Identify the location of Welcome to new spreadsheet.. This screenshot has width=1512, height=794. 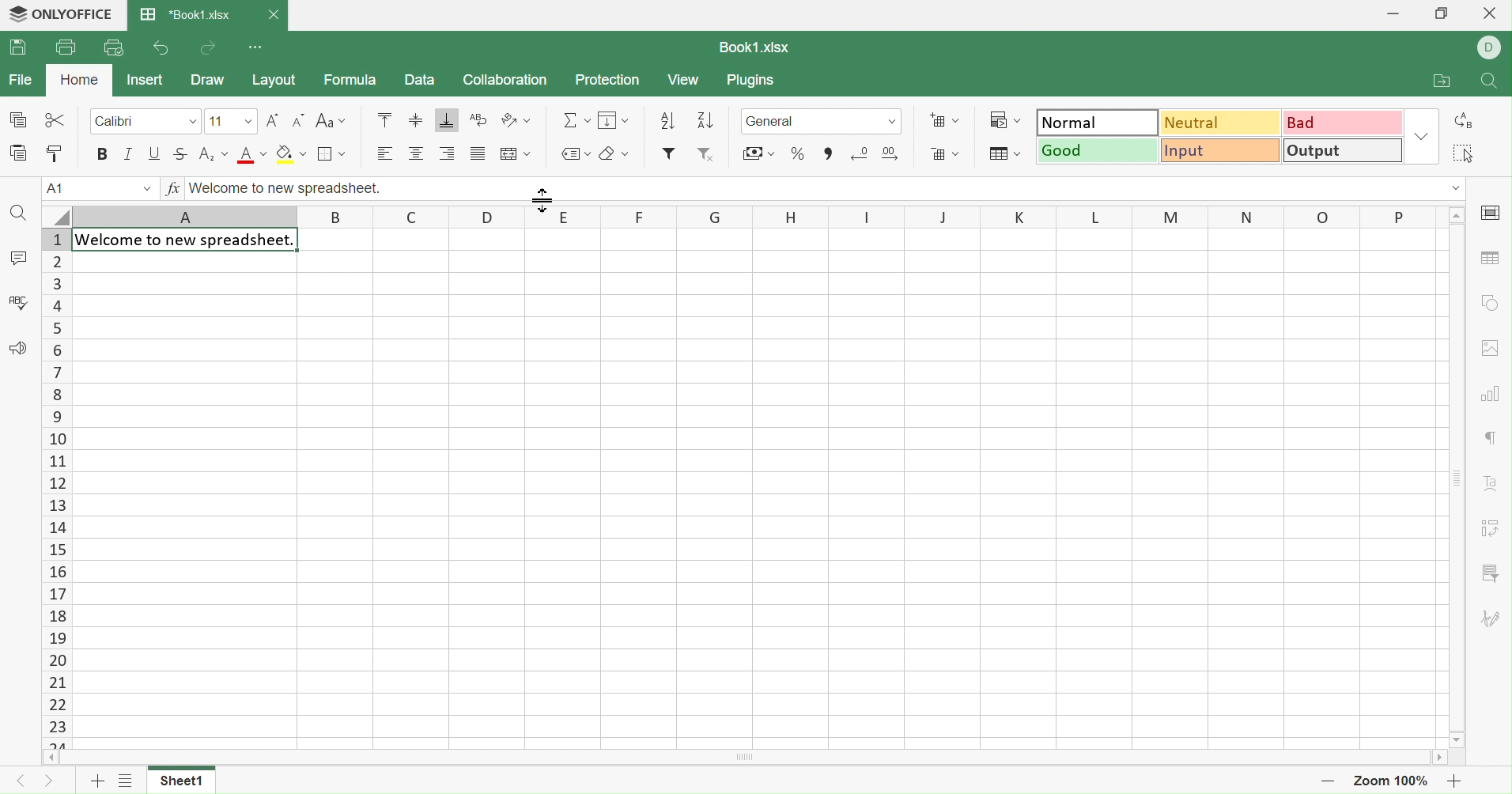
(183, 239).